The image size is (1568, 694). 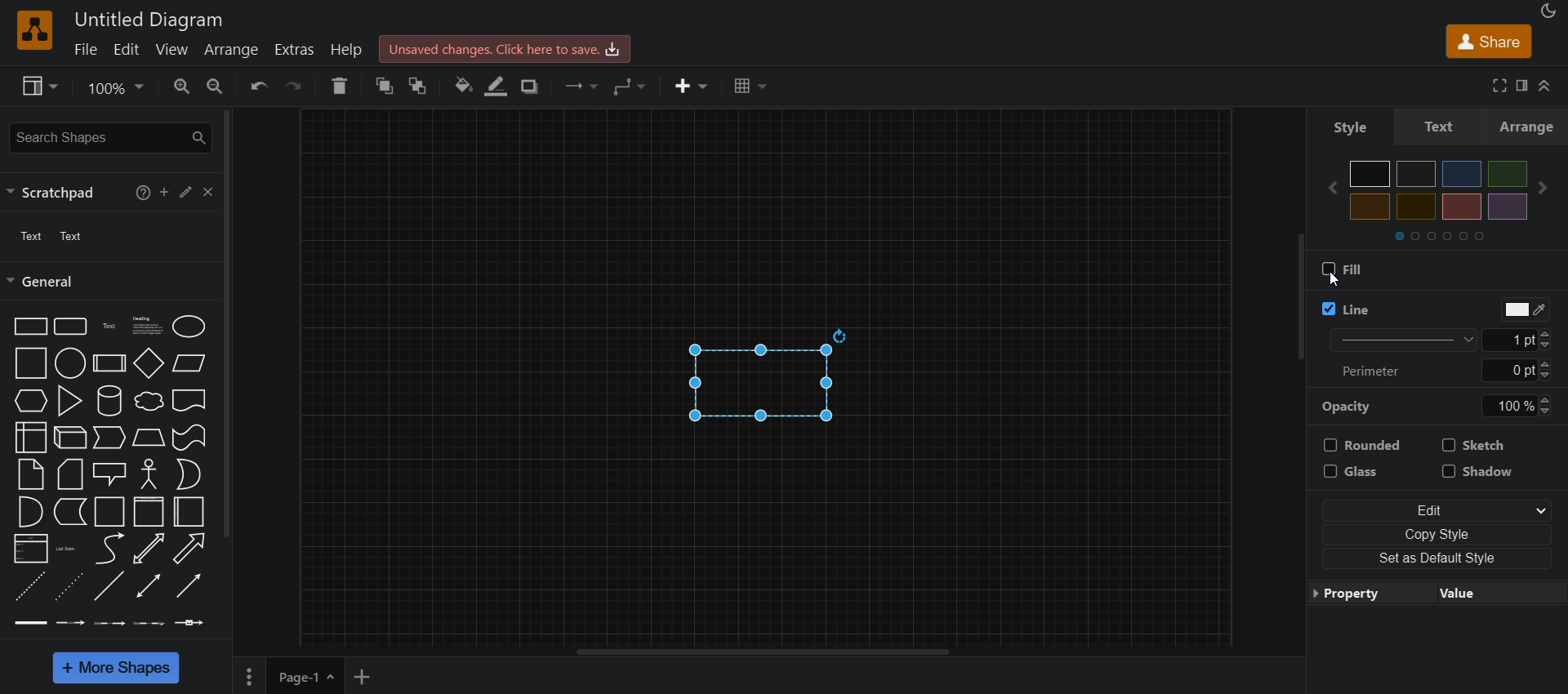 I want to click on previous, so click(x=1333, y=187).